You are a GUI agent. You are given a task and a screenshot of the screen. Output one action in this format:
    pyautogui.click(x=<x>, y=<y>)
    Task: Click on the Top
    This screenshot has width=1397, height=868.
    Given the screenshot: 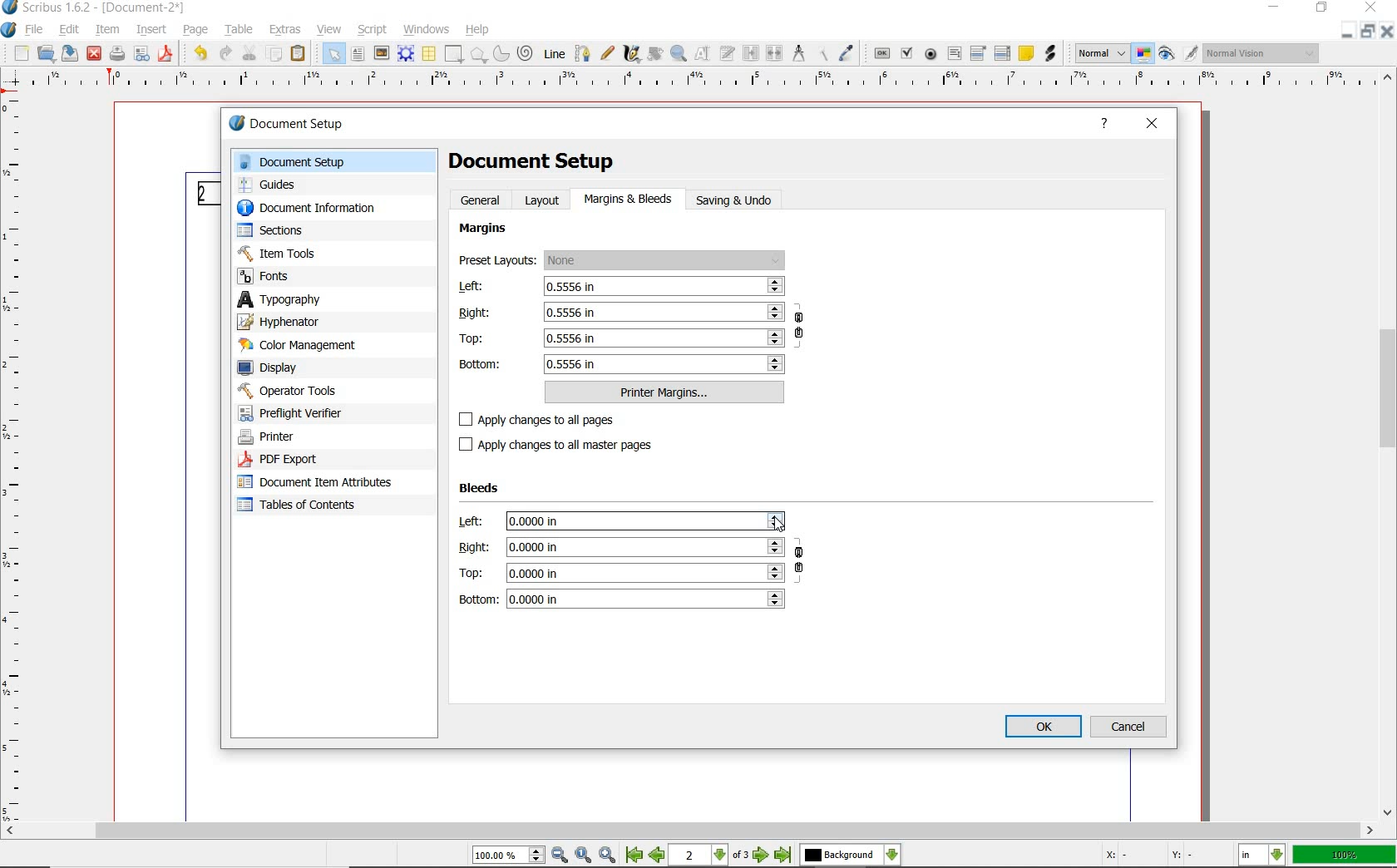 What is the action you would take?
    pyautogui.click(x=621, y=572)
    